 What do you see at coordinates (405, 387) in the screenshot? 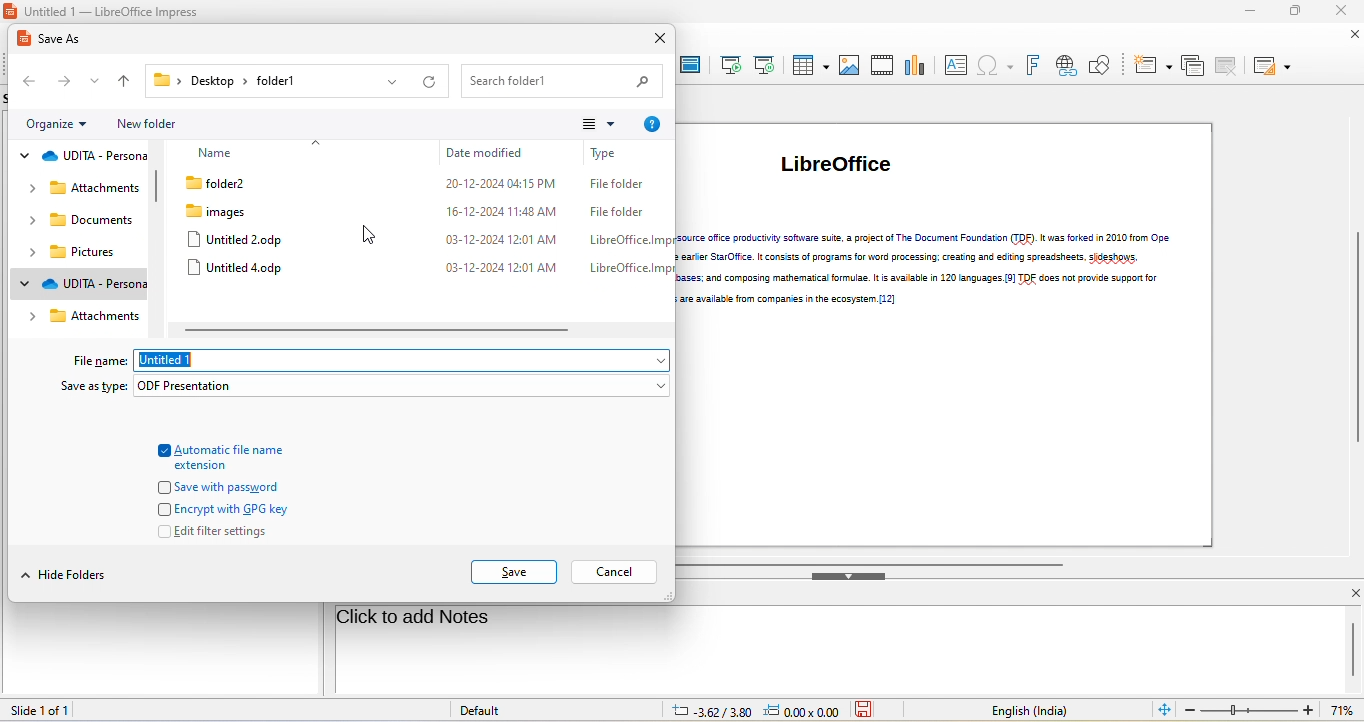
I see `odf presentation` at bounding box center [405, 387].